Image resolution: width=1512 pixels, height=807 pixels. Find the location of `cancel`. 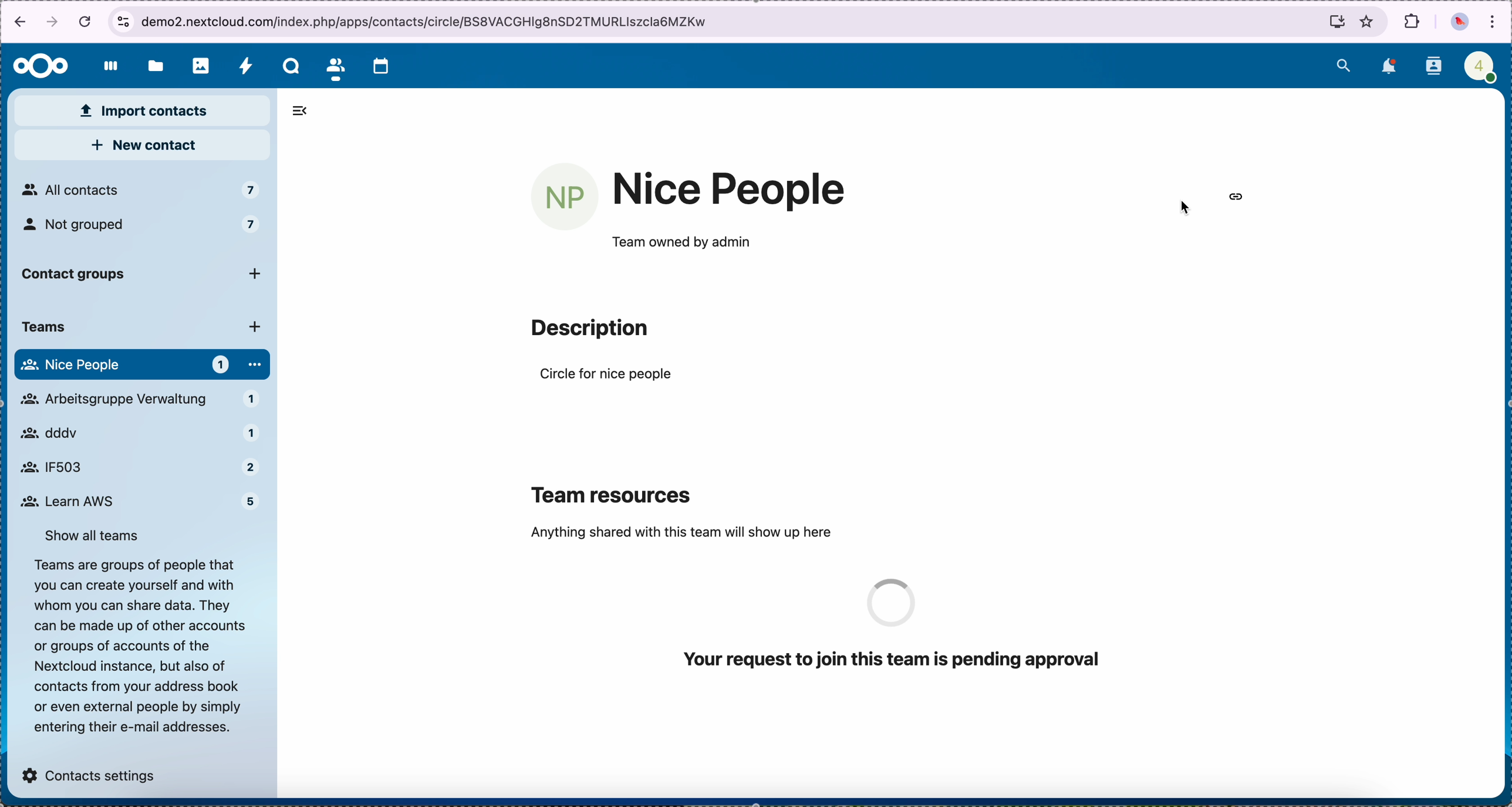

cancel is located at coordinates (85, 22).